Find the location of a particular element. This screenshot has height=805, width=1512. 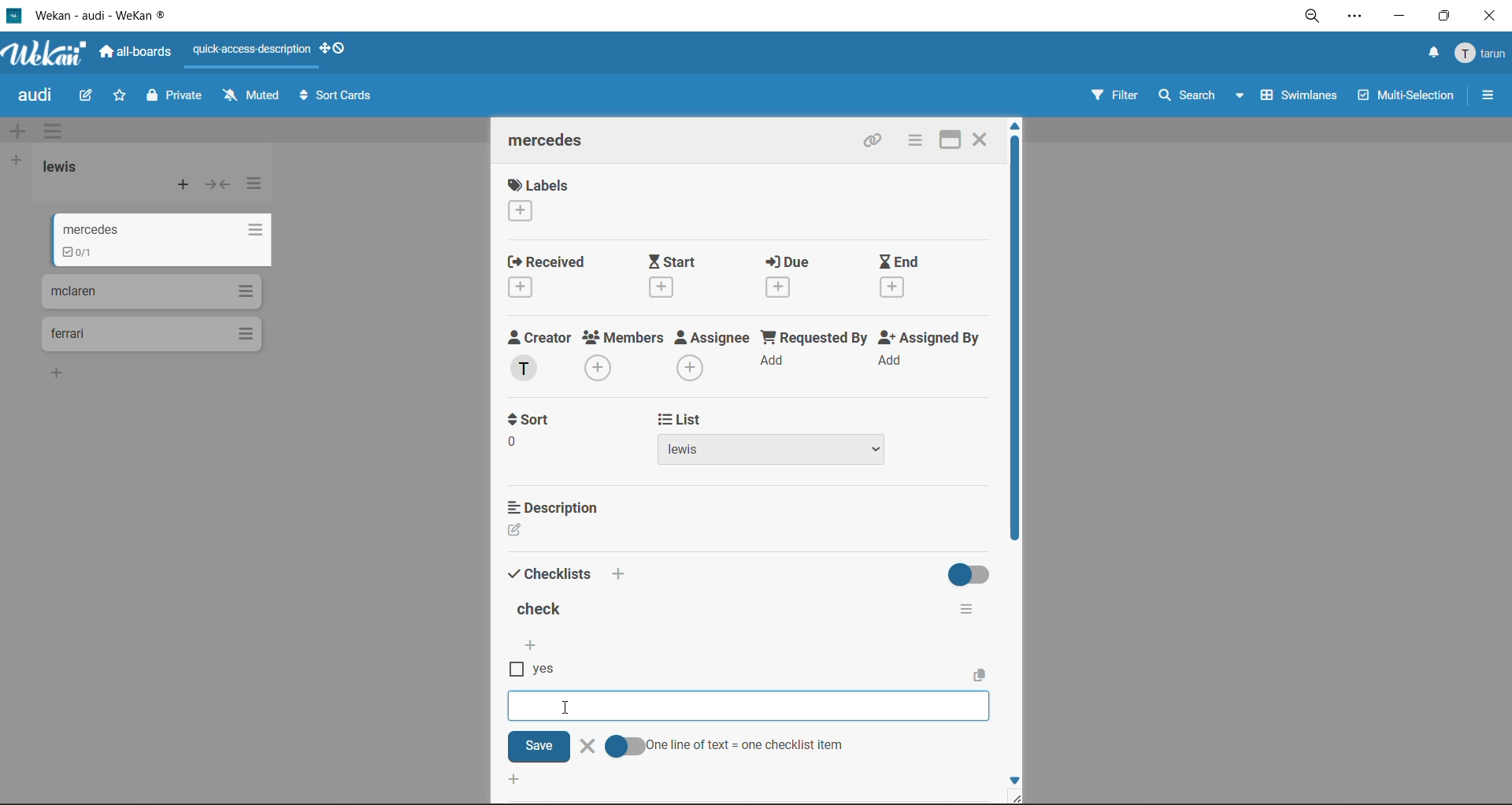

copy is located at coordinates (983, 674).